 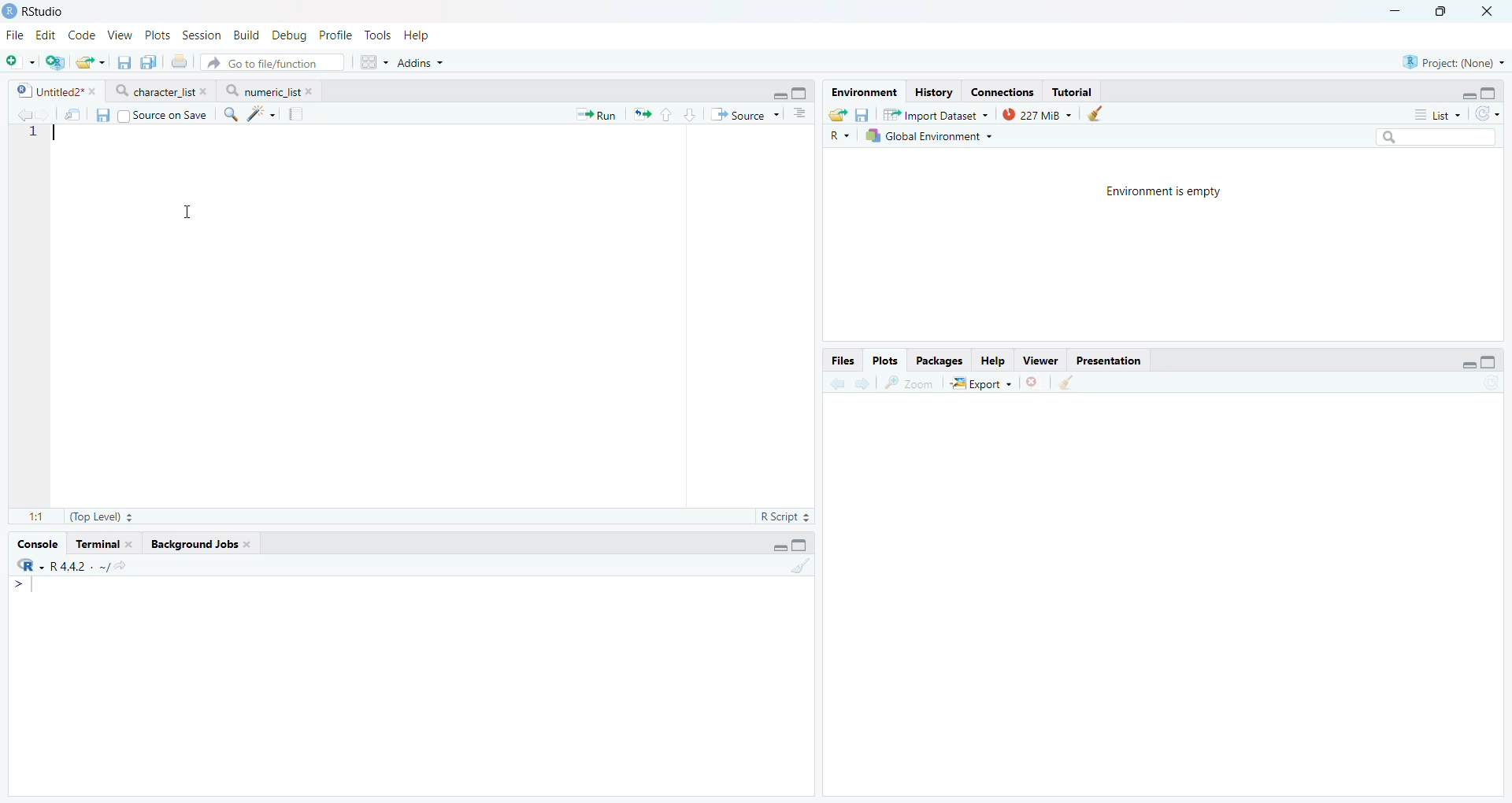 I want to click on Save all open files, so click(x=146, y=62).